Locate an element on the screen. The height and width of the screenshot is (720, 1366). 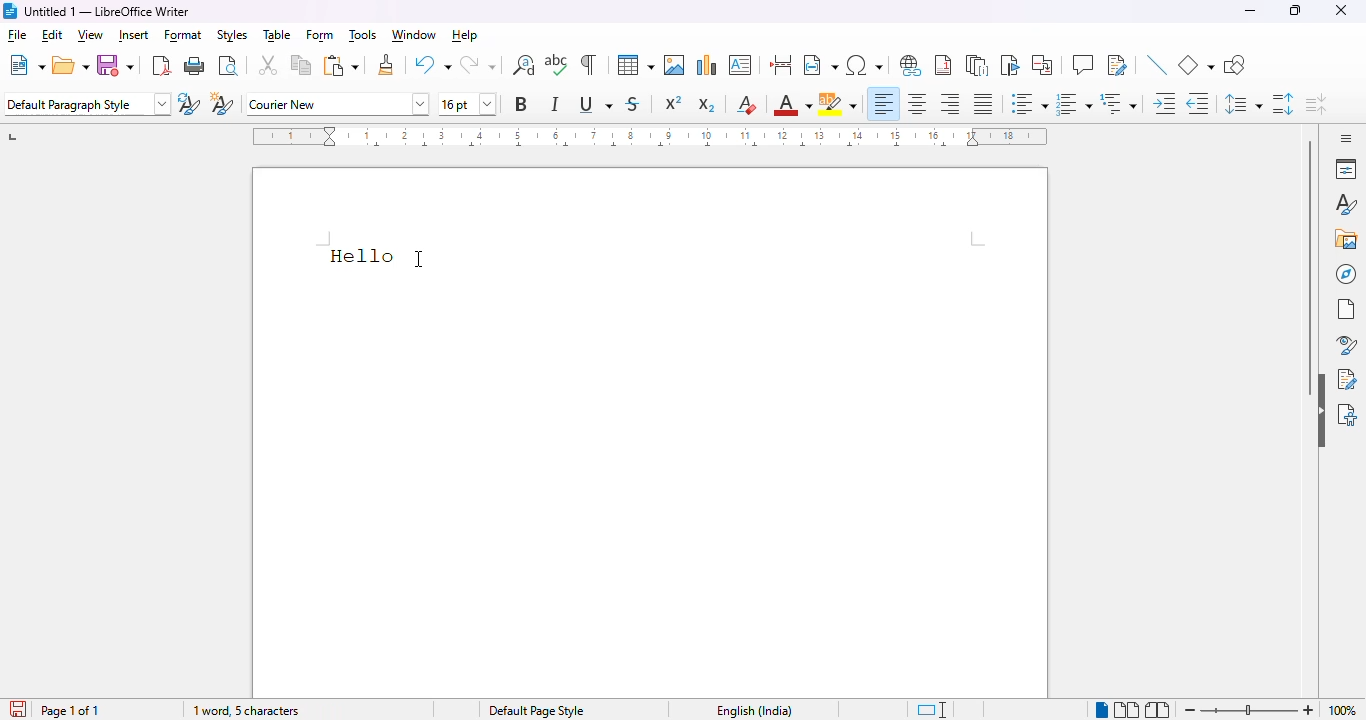
insert is located at coordinates (134, 35).